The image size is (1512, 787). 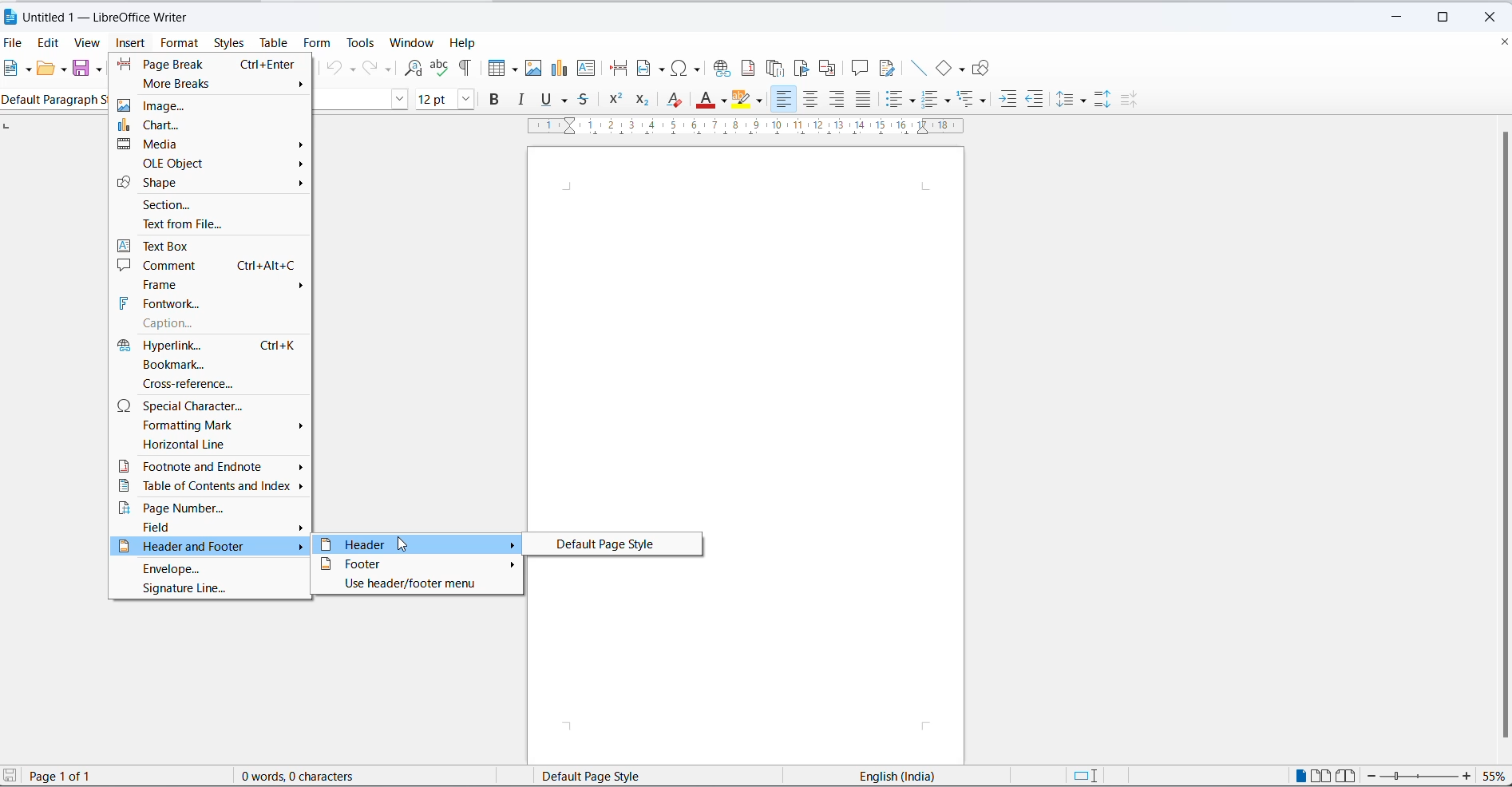 What do you see at coordinates (774, 69) in the screenshot?
I see `insert endnote` at bounding box center [774, 69].